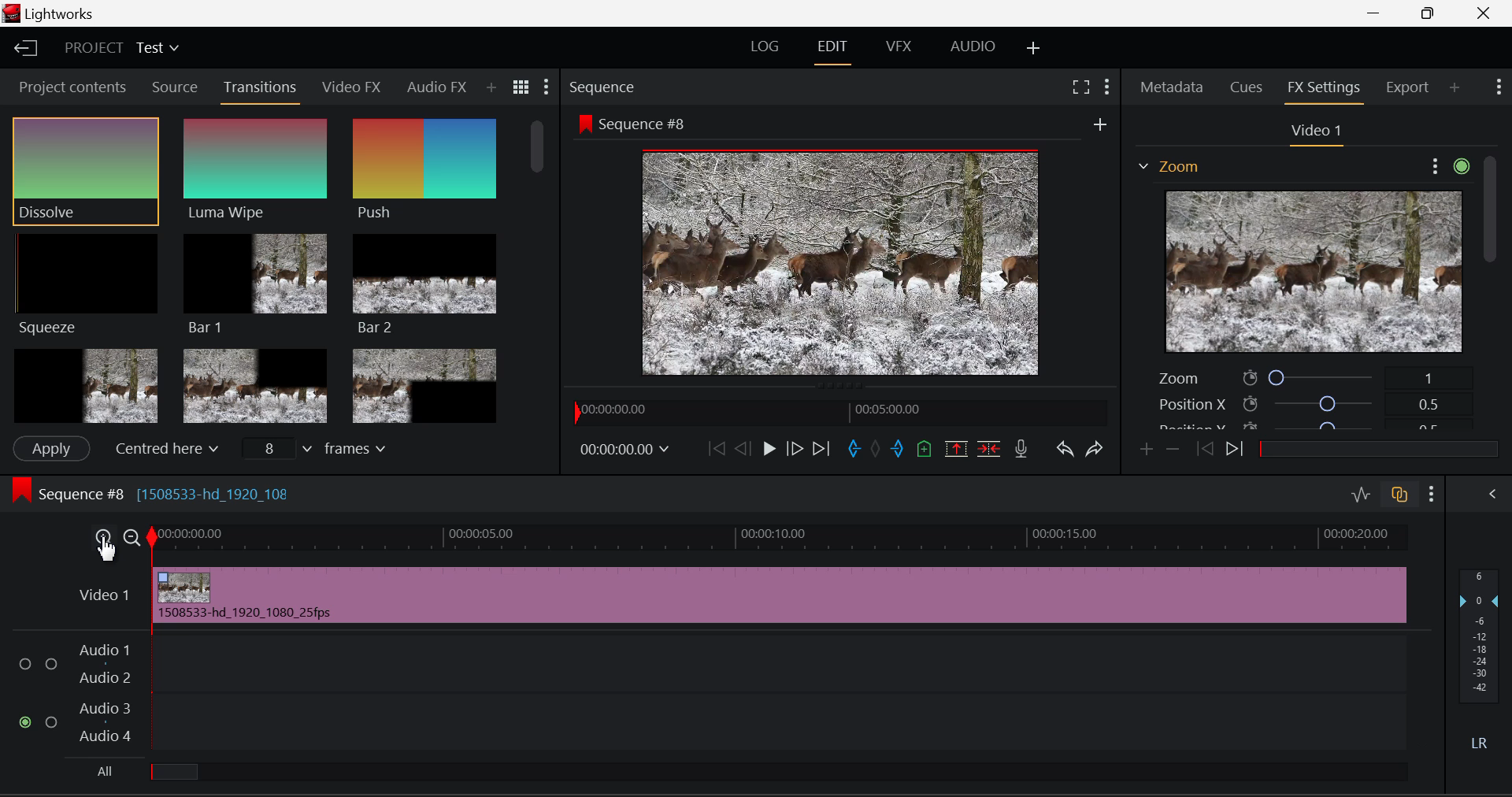 The width and height of the screenshot is (1512, 797). I want to click on Box 2, so click(255, 385).